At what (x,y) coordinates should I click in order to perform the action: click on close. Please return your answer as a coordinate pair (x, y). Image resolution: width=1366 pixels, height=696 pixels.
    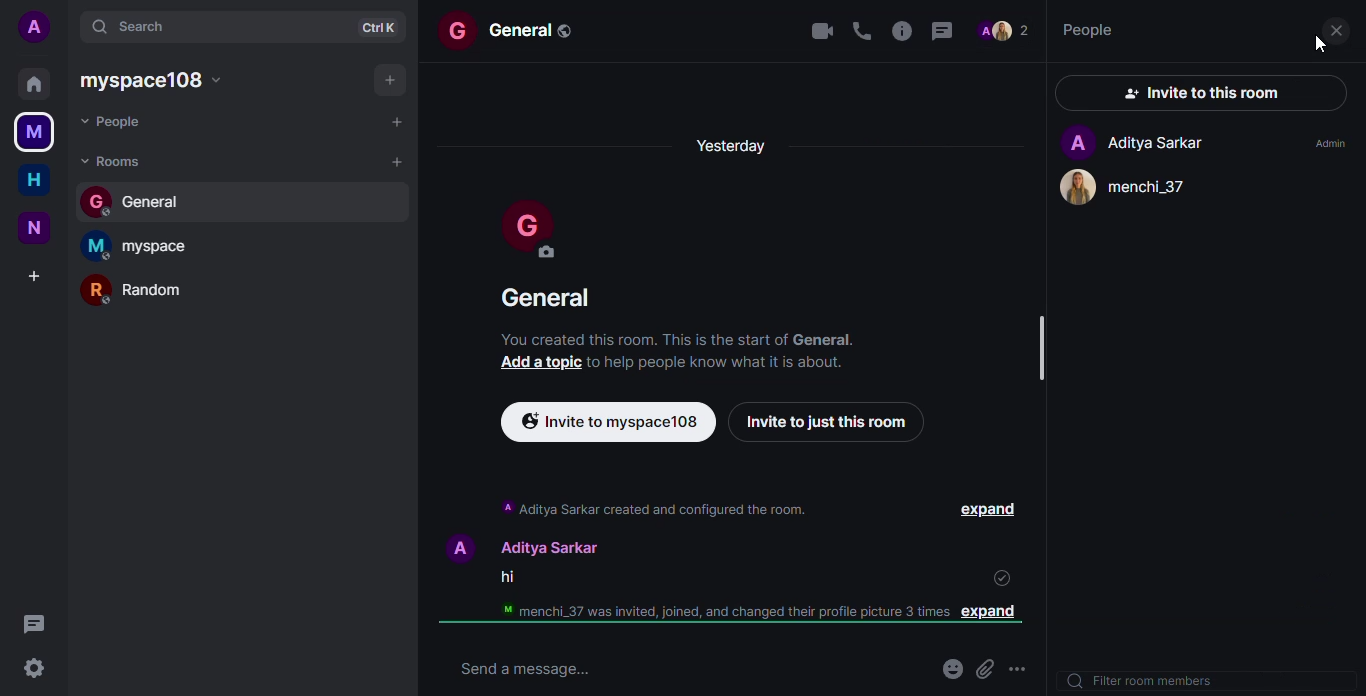
    Looking at the image, I should click on (1337, 28).